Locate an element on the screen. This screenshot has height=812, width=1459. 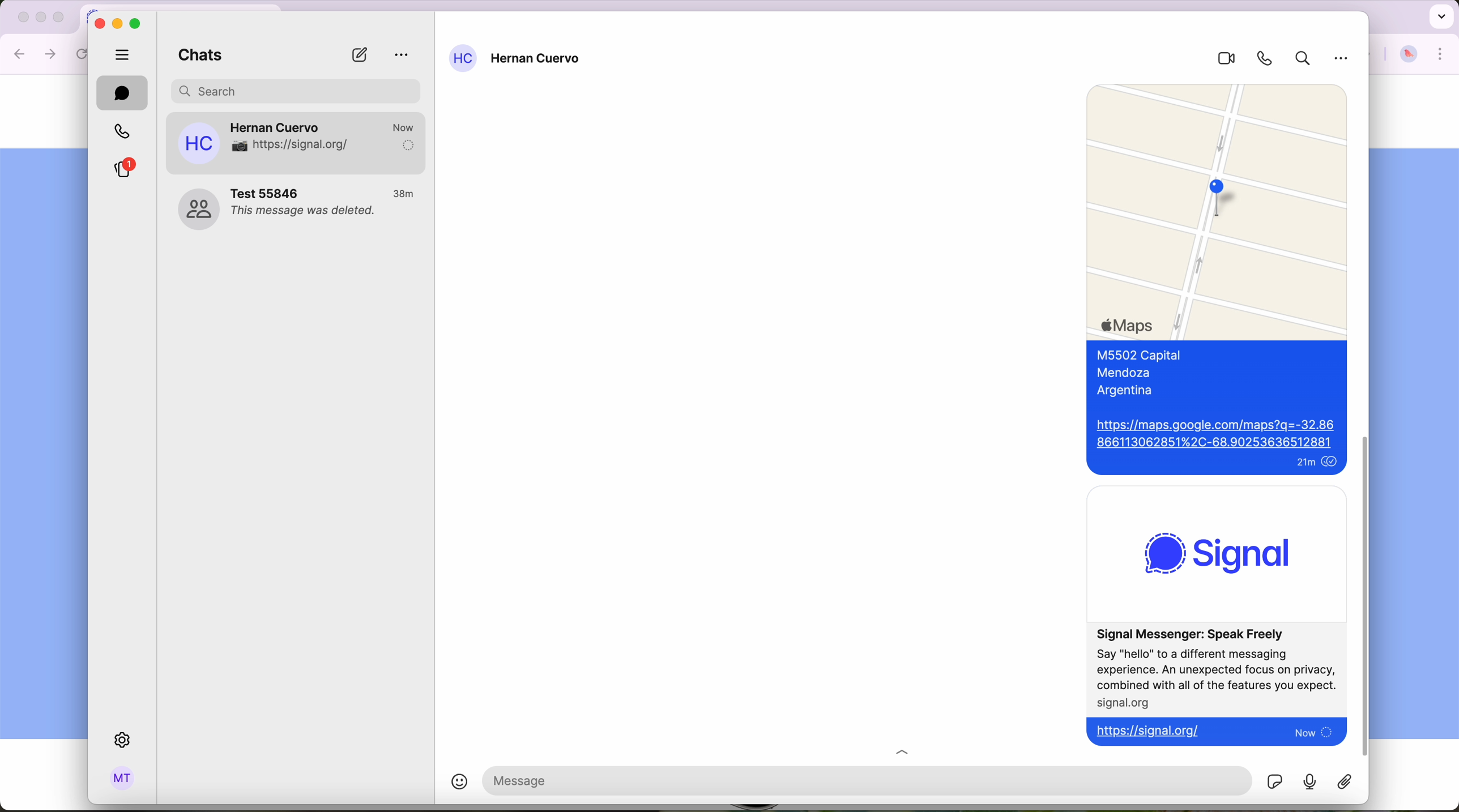
M5502 Capital is located at coordinates (1146, 353).